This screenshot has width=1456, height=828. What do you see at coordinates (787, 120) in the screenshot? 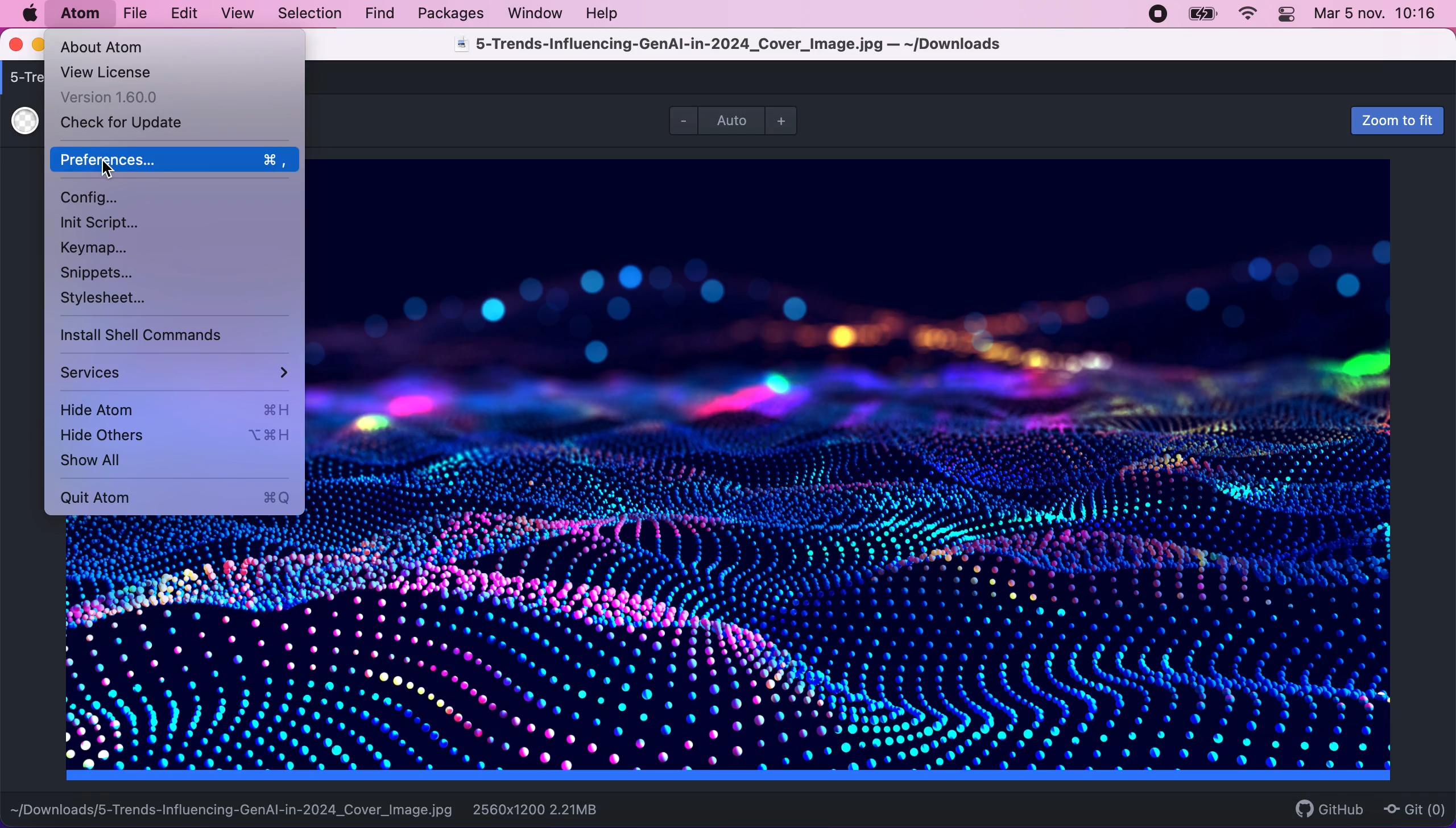
I see `zoom in` at bounding box center [787, 120].